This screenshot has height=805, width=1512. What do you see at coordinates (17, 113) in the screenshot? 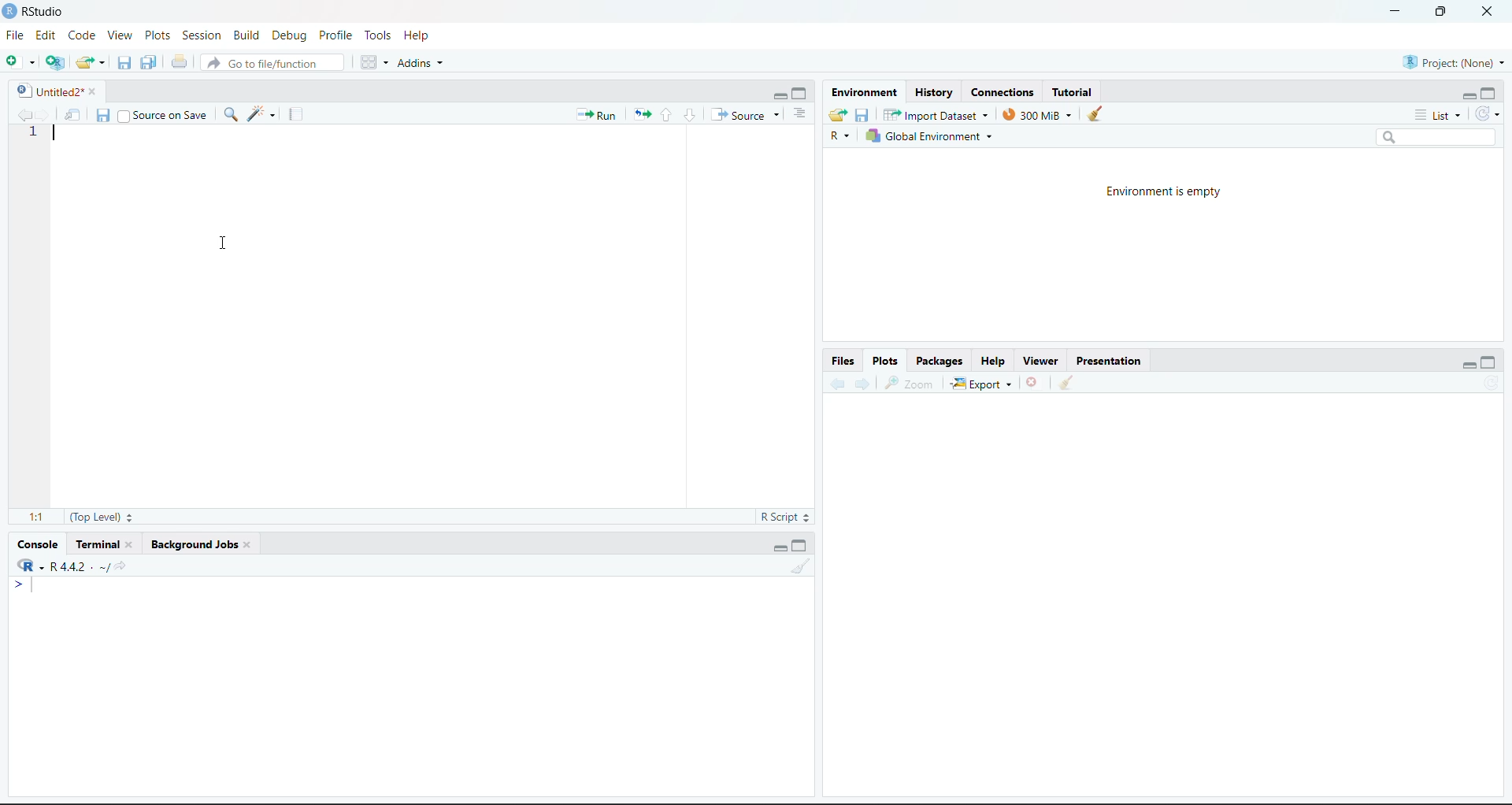
I see `go back to the previous source location` at bounding box center [17, 113].